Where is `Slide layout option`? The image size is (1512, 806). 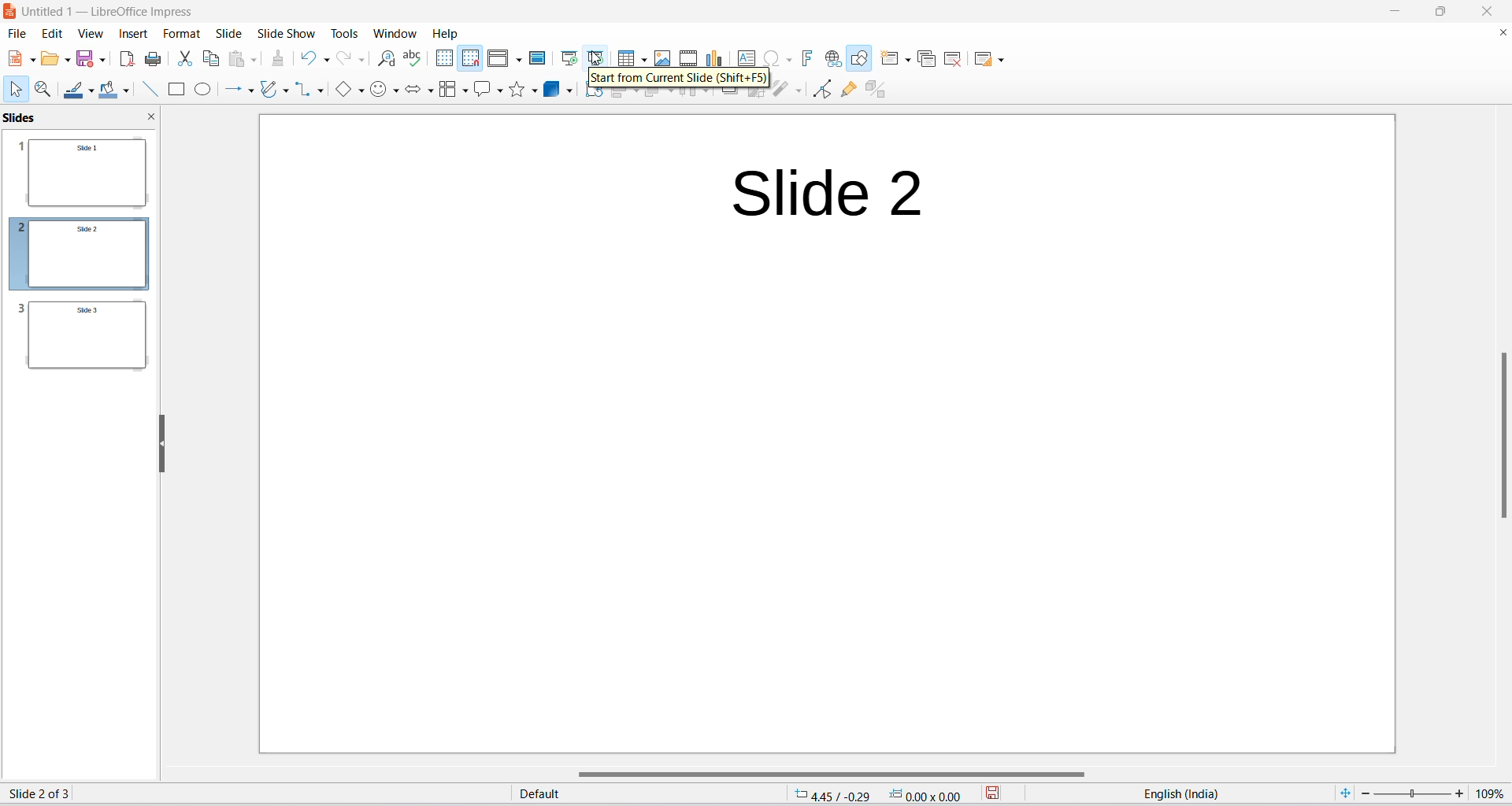
Slide layout option is located at coordinates (1002, 59).